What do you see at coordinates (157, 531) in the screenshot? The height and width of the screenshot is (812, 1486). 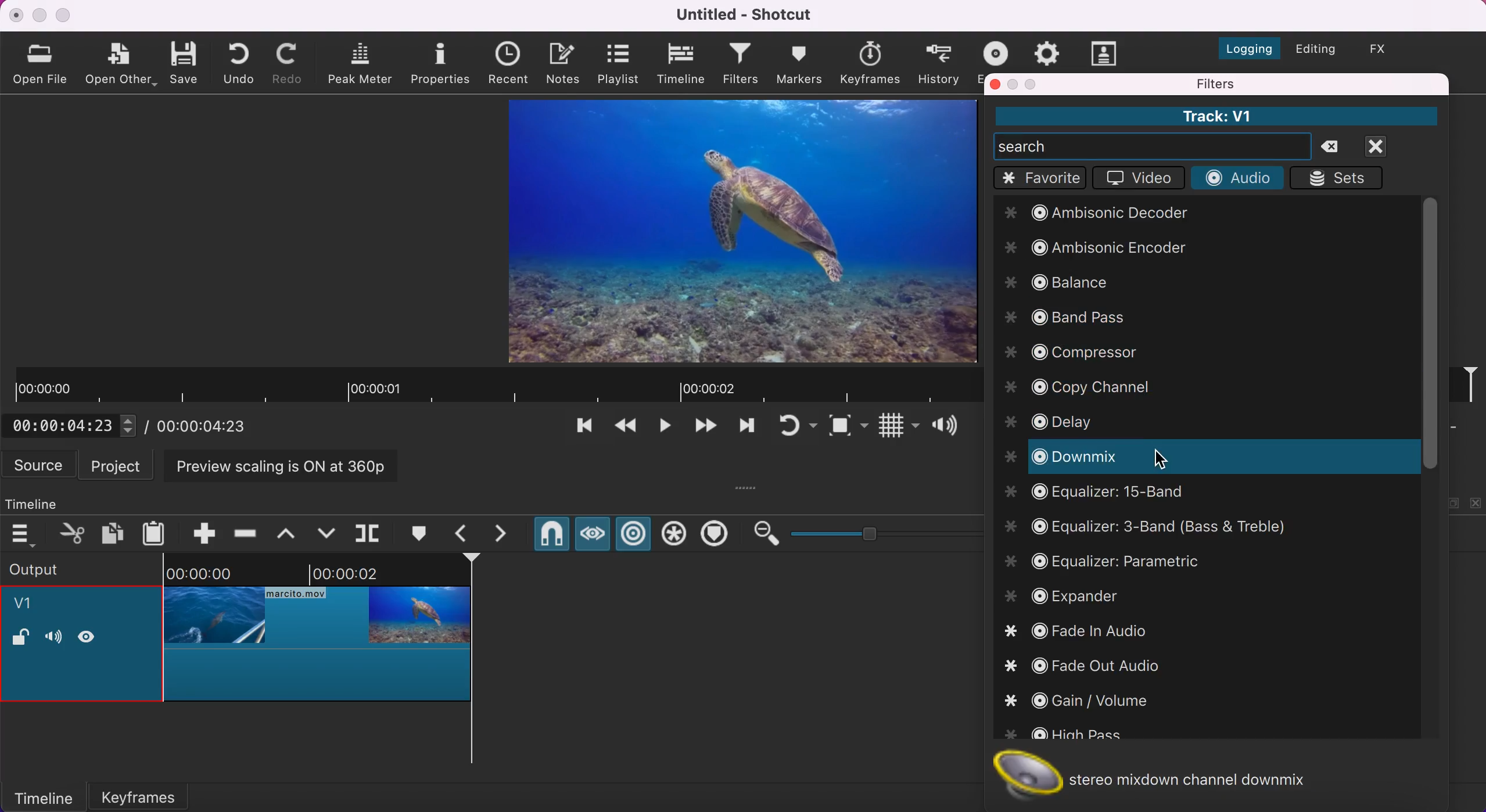 I see `paste` at bounding box center [157, 531].